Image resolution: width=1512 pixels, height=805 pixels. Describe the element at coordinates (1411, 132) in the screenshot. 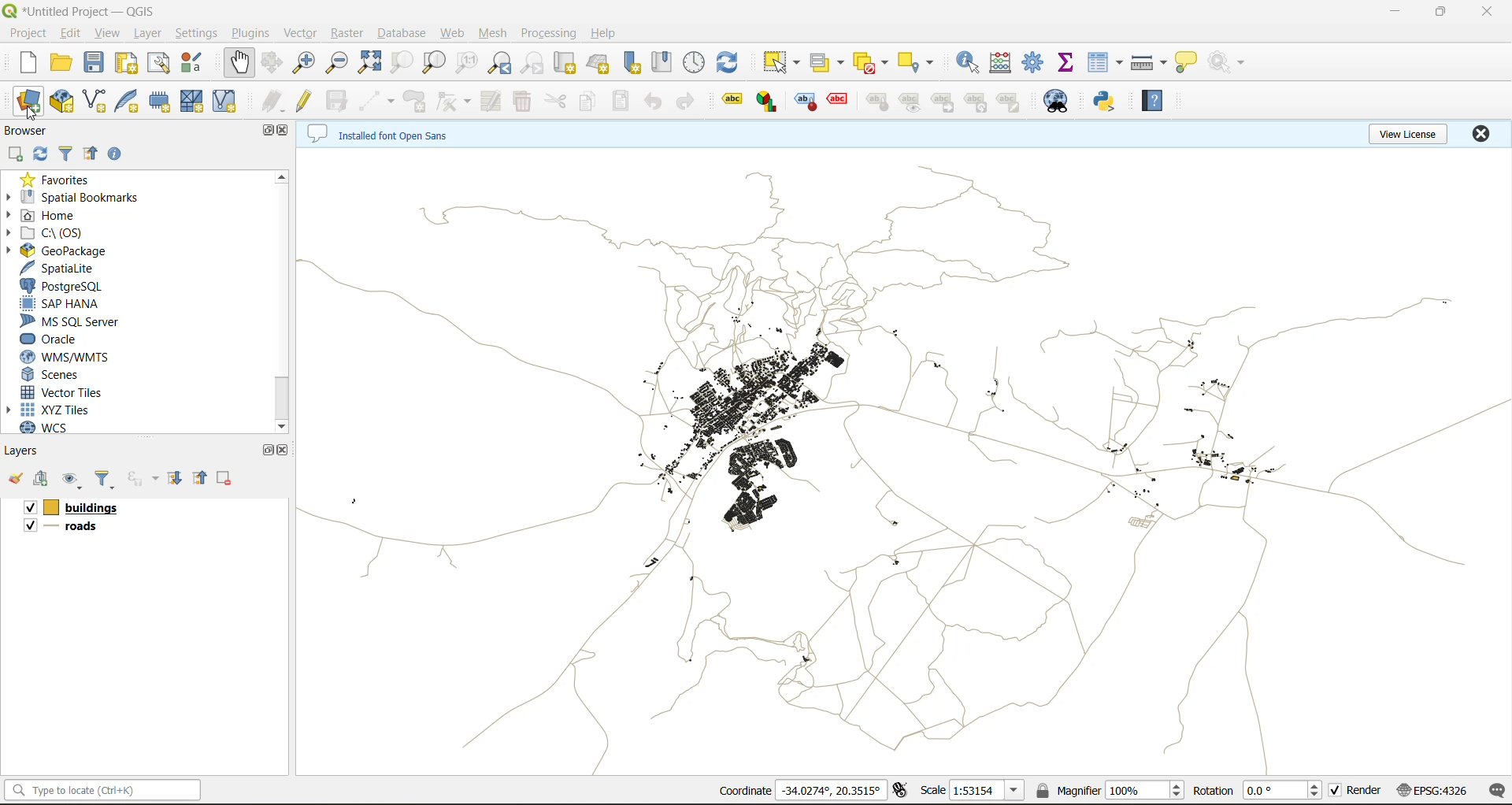

I see `view license` at that location.